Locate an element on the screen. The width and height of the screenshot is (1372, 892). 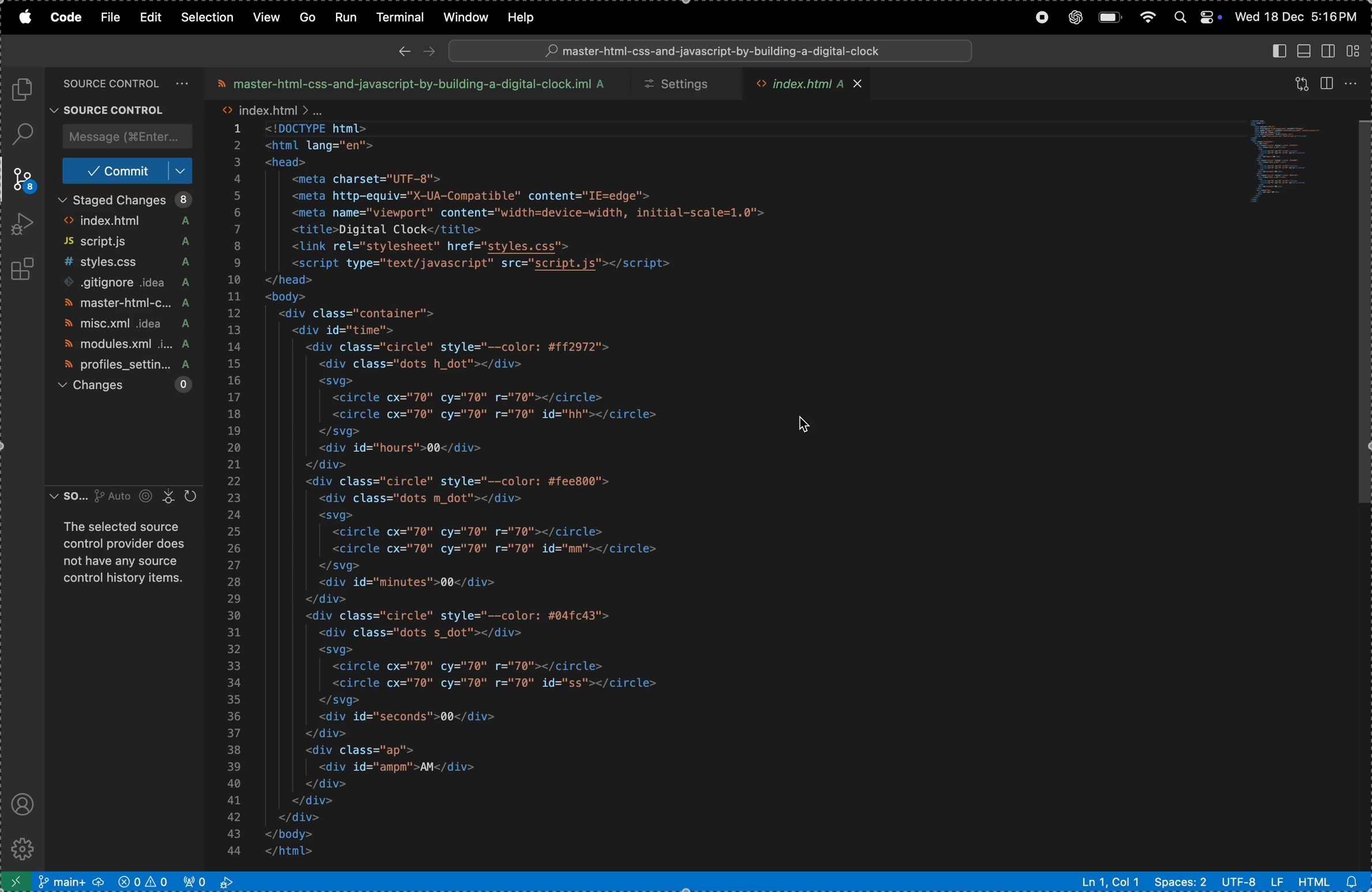
refresh is located at coordinates (193, 496).